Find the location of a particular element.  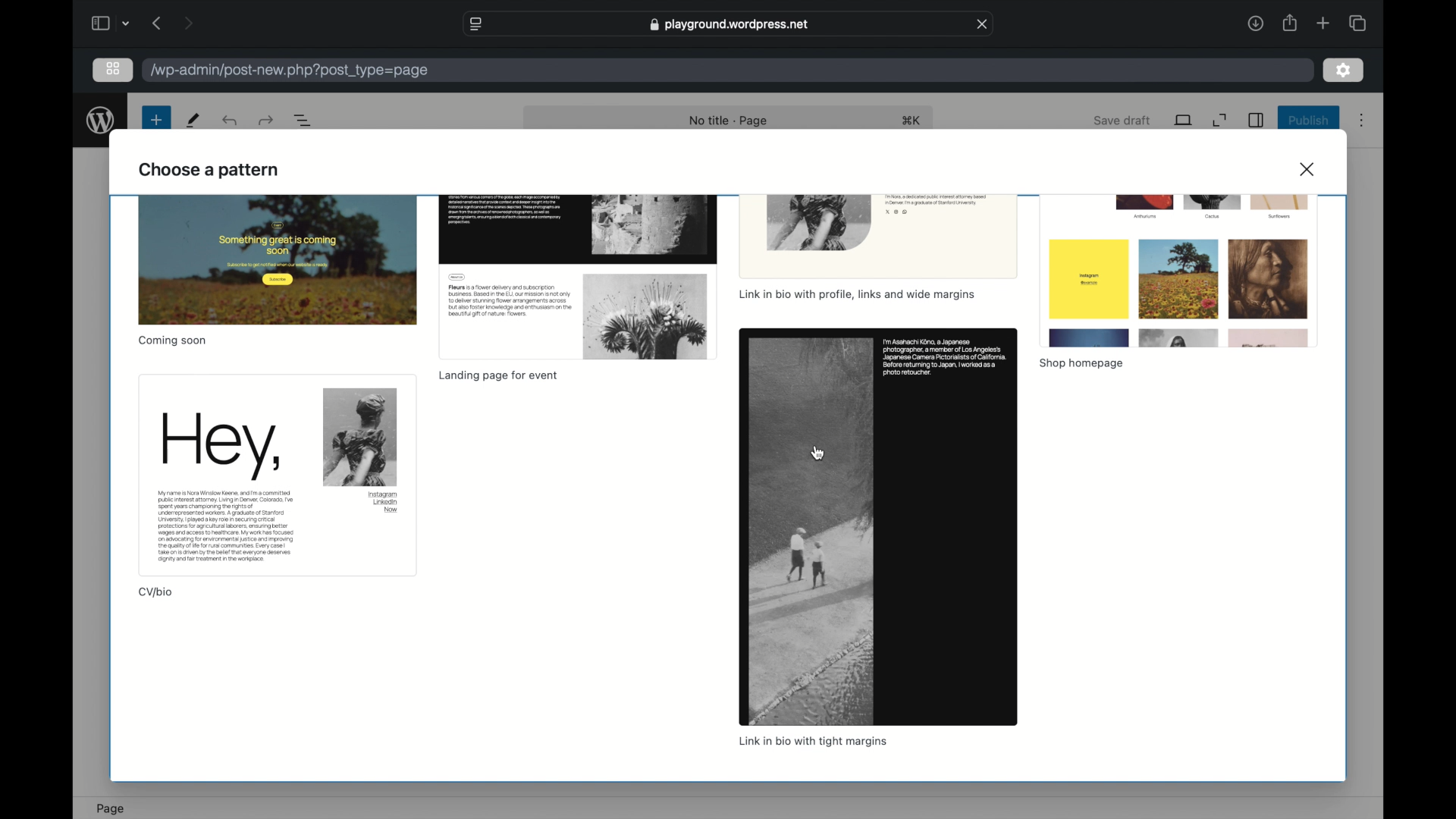

web address is located at coordinates (731, 24).